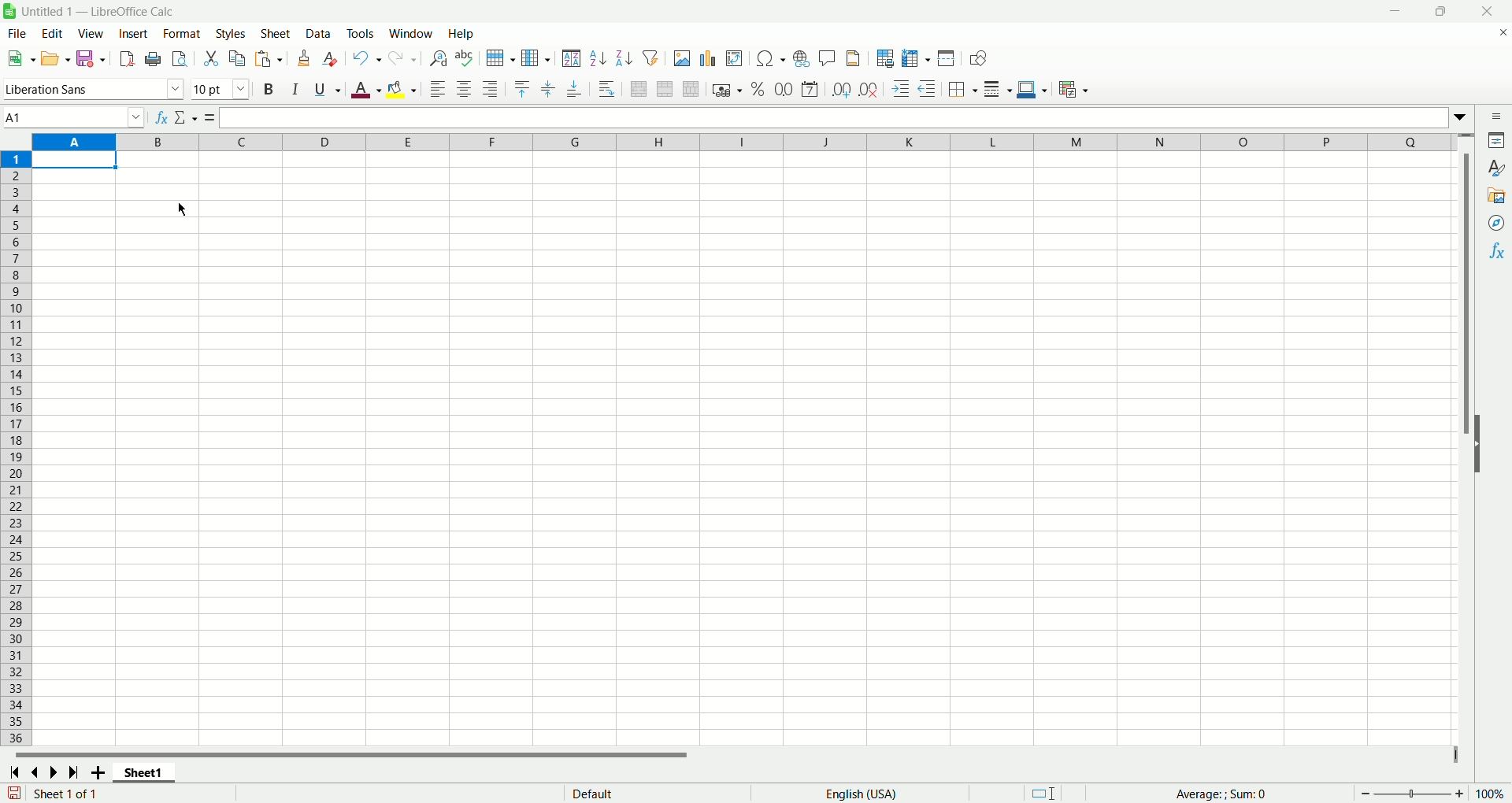 This screenshot has width=1512, height=803. What do you see at coordinates (492, 91) in the screenshot?
I see `align right` at bounding box center [492, 91].